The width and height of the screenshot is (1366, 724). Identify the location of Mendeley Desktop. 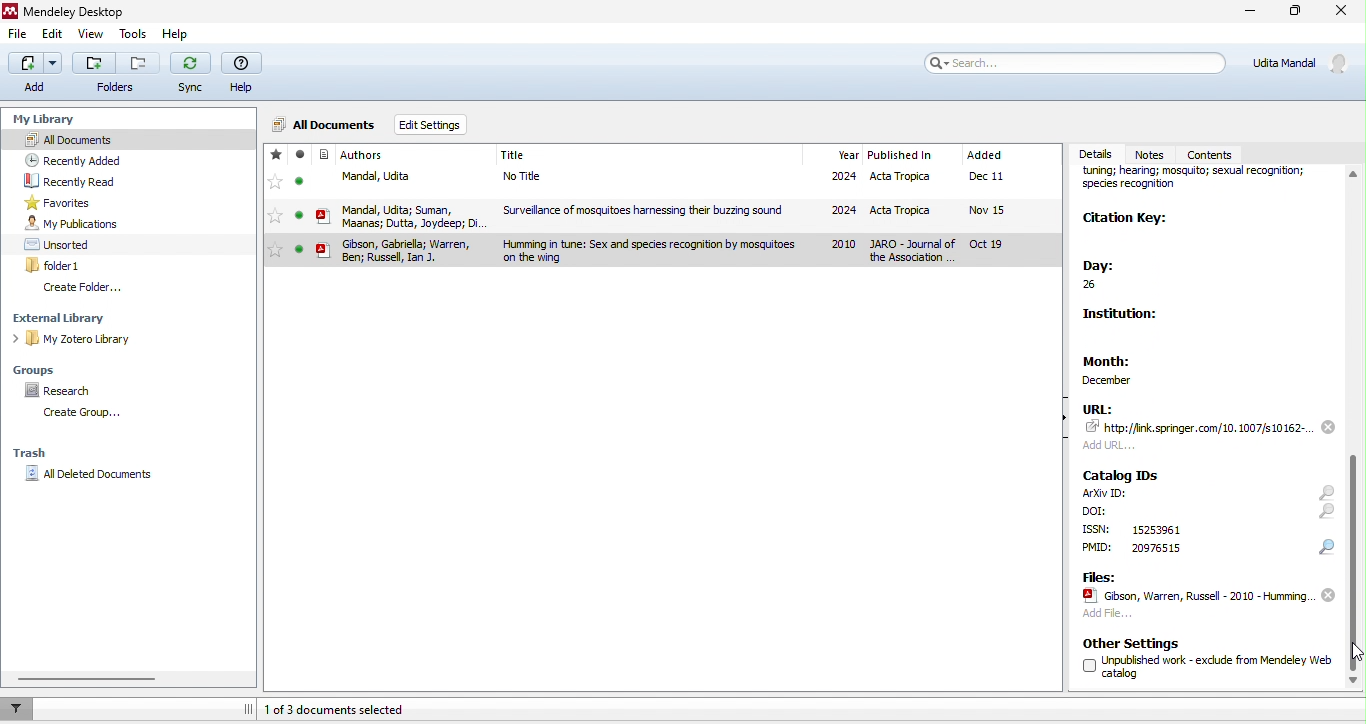
(82, 13).